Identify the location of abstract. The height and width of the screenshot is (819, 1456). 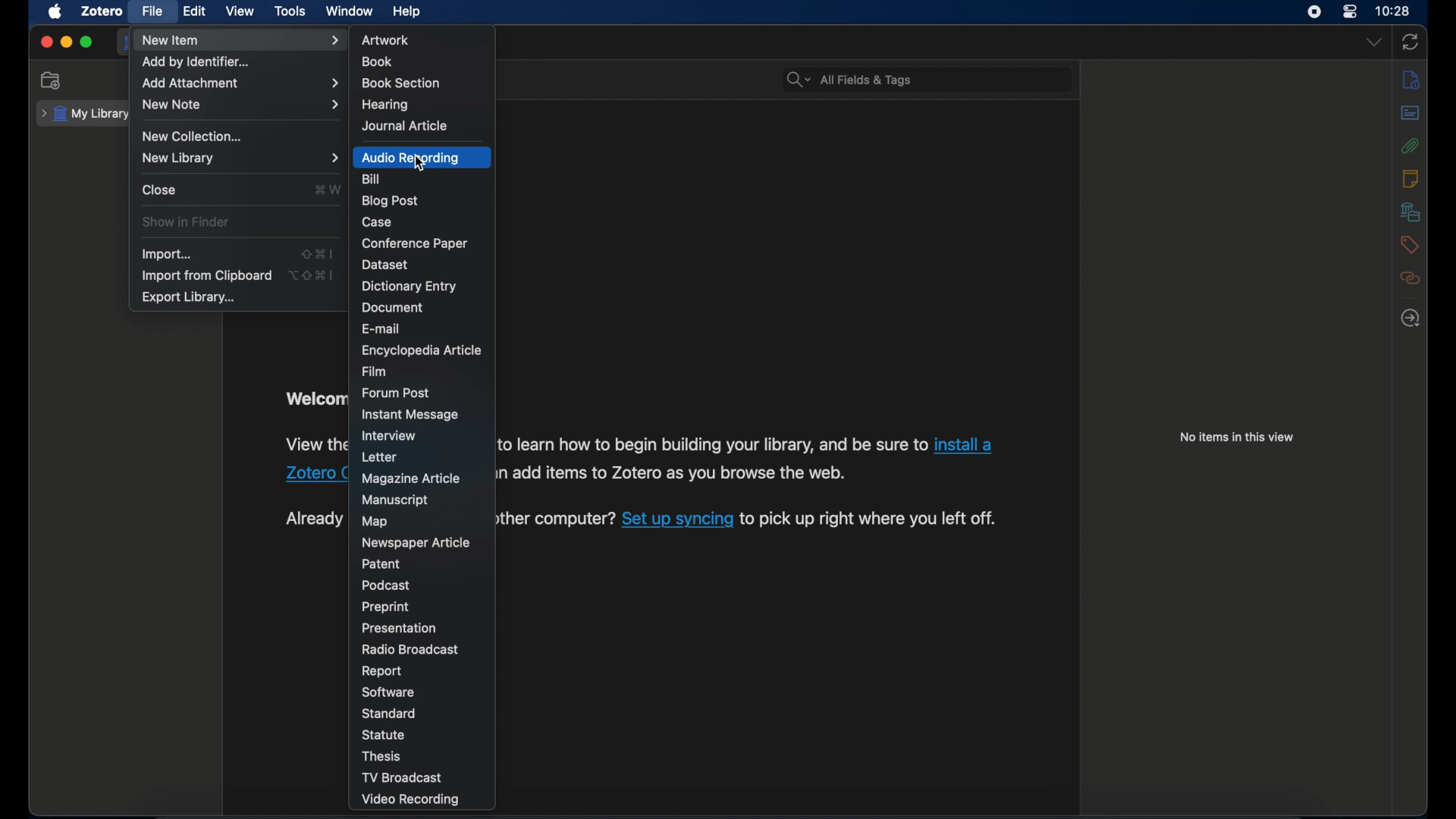
(1411, 112).